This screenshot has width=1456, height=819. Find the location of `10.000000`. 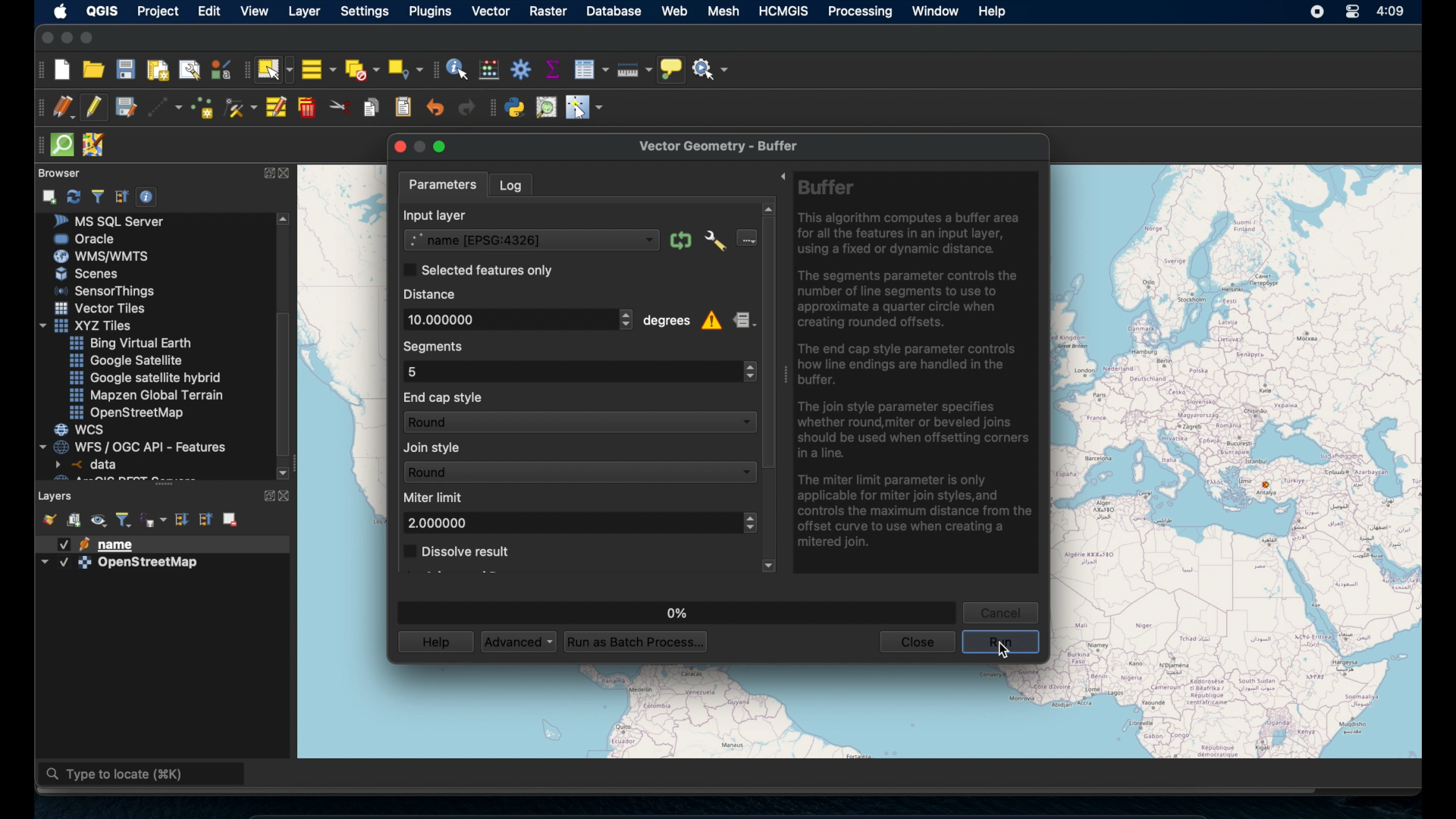

10.000000 is located at coordinates (502, 318).